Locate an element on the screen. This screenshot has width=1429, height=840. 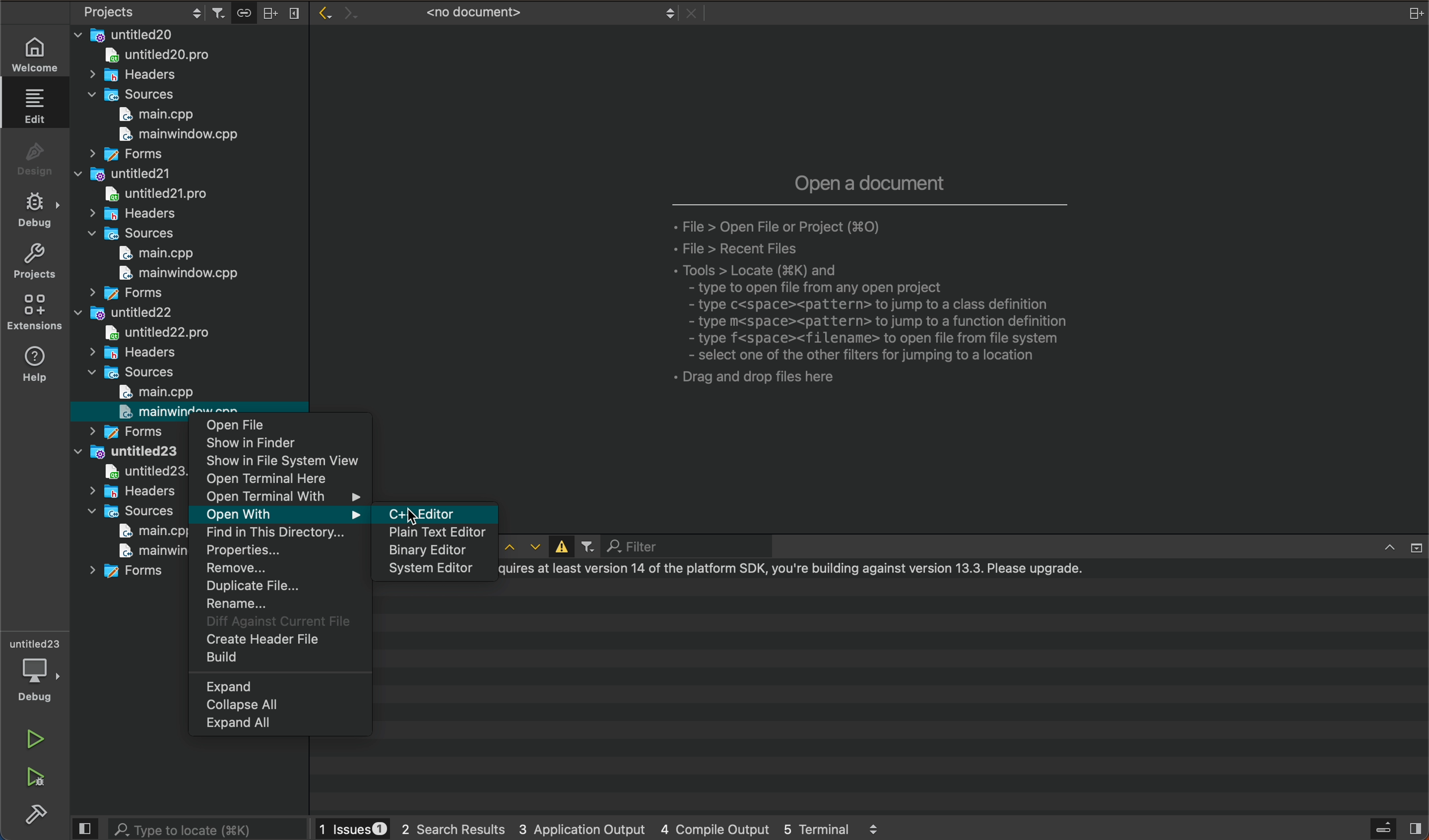
untitled20pro is located at coordinates (152, 193).